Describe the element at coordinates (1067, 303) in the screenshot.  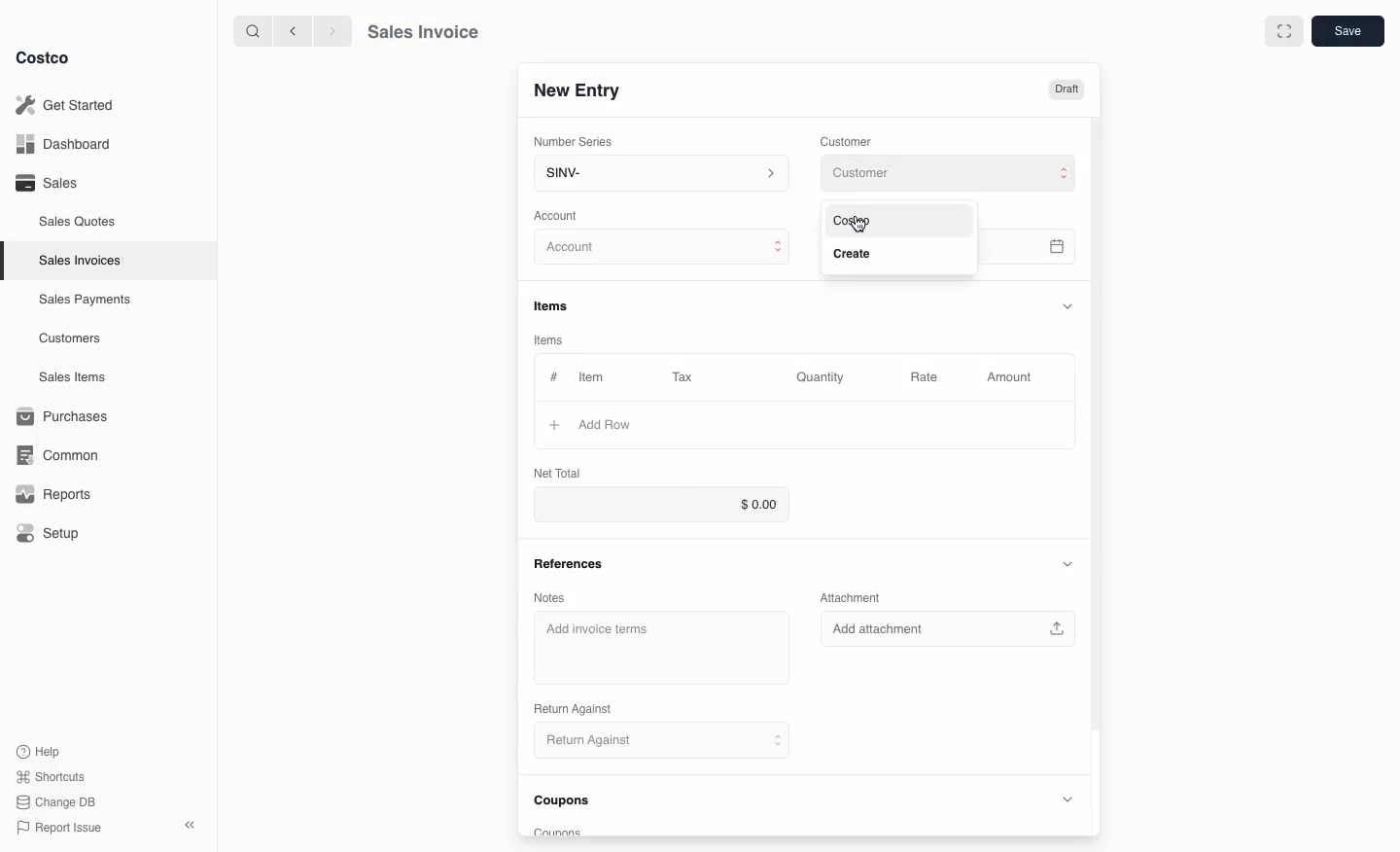
I see `Hide` at that location.